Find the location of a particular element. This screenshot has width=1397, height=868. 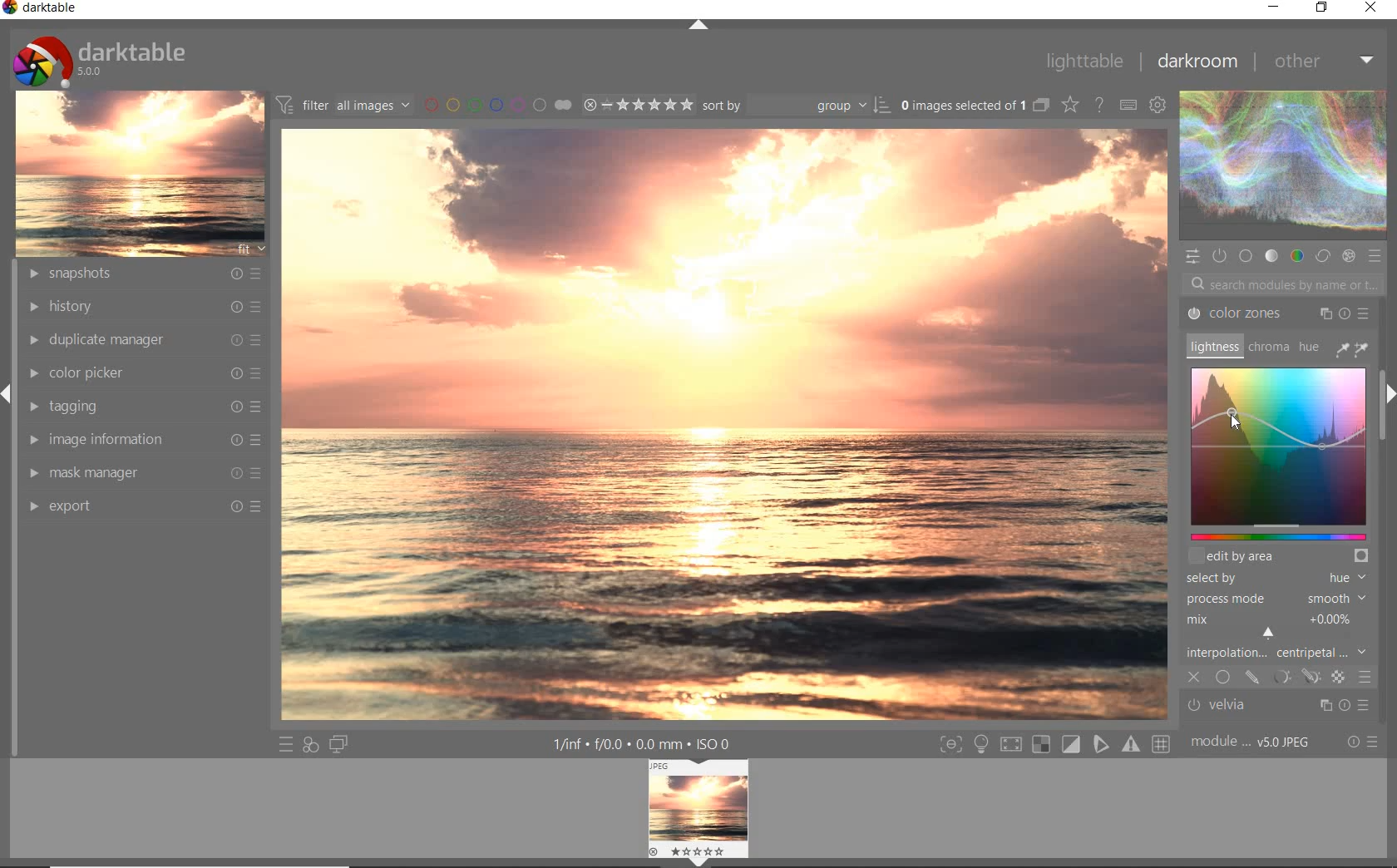

IMAGE is located at coordinates (140, 172).